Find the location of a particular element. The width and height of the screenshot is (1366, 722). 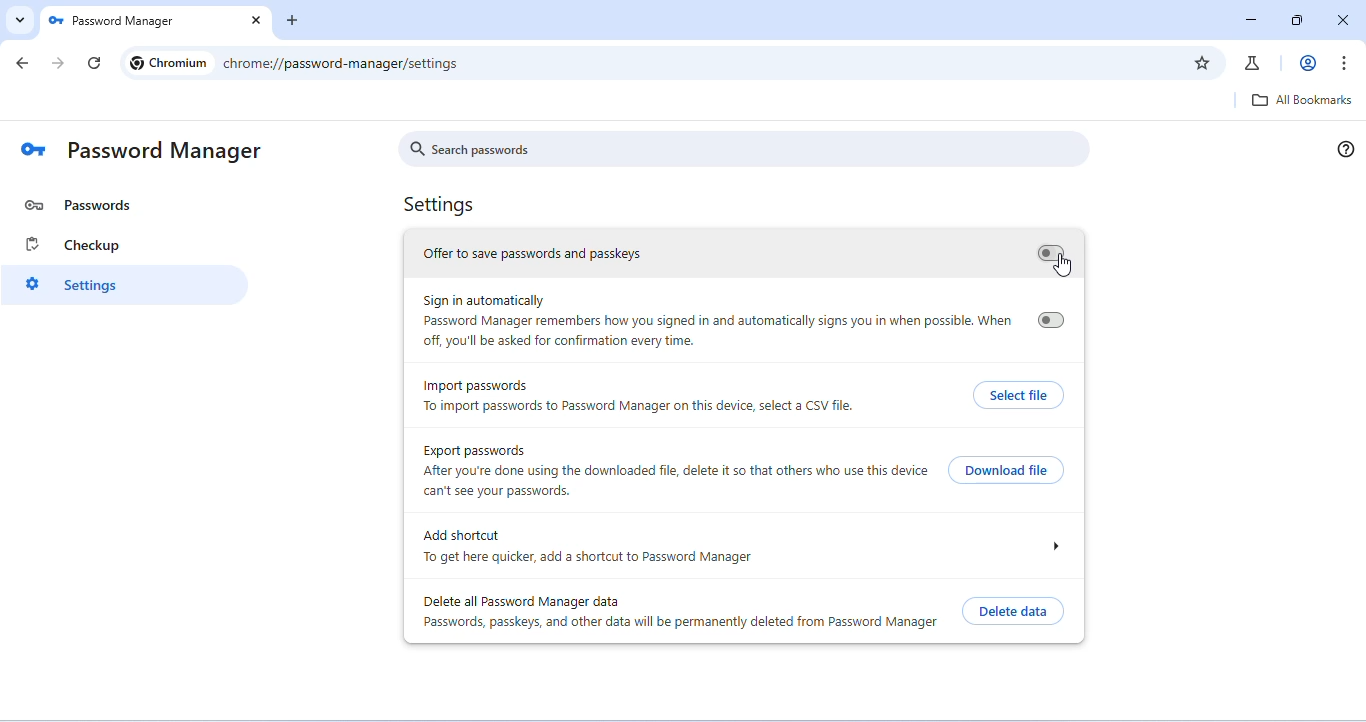

help is located at coordinates (1345, 148).